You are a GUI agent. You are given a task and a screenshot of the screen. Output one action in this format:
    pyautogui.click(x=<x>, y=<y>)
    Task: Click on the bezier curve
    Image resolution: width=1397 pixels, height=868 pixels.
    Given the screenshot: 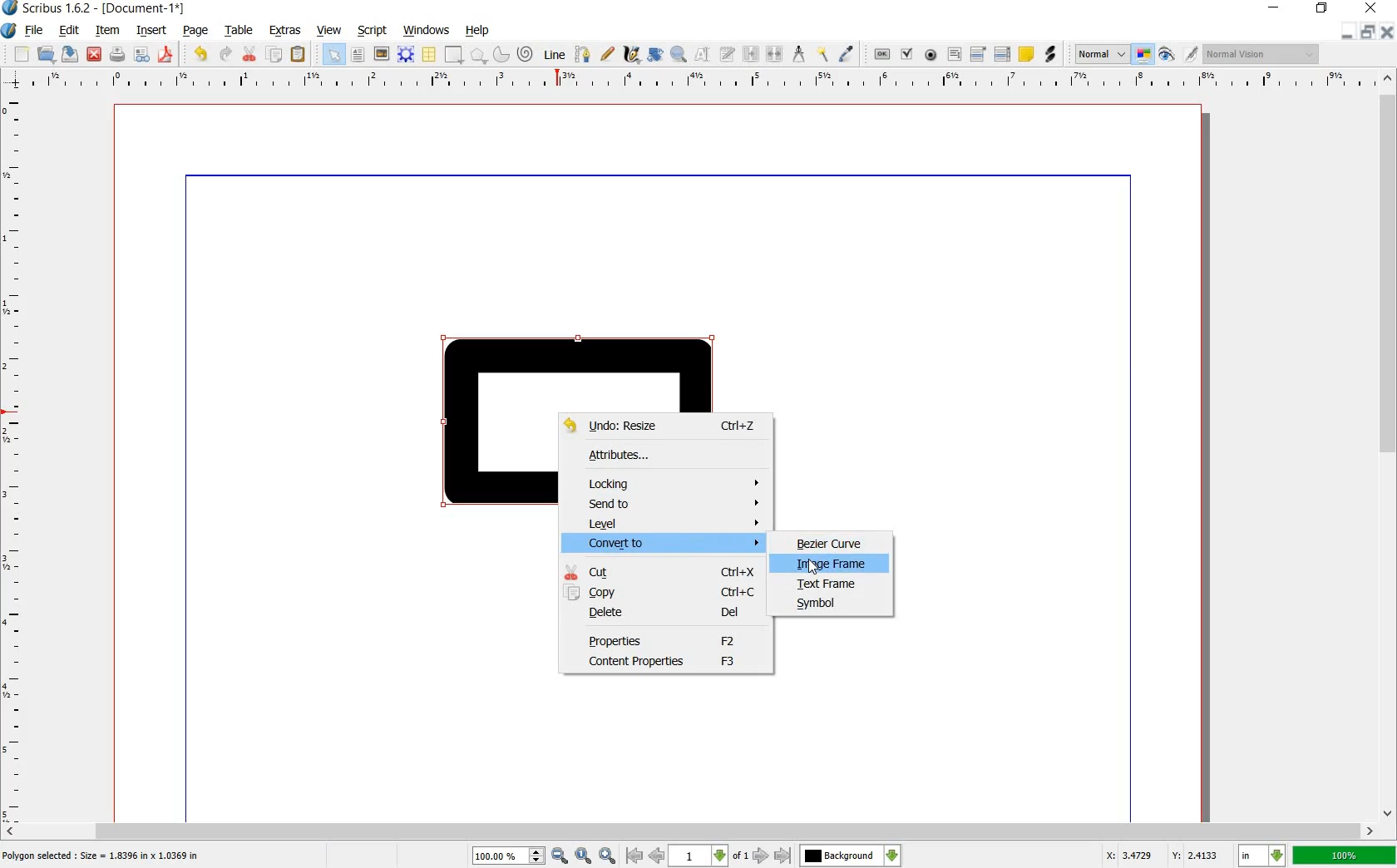 What is the action you would take?
    pyautogui.click(x=580, y=55)
    